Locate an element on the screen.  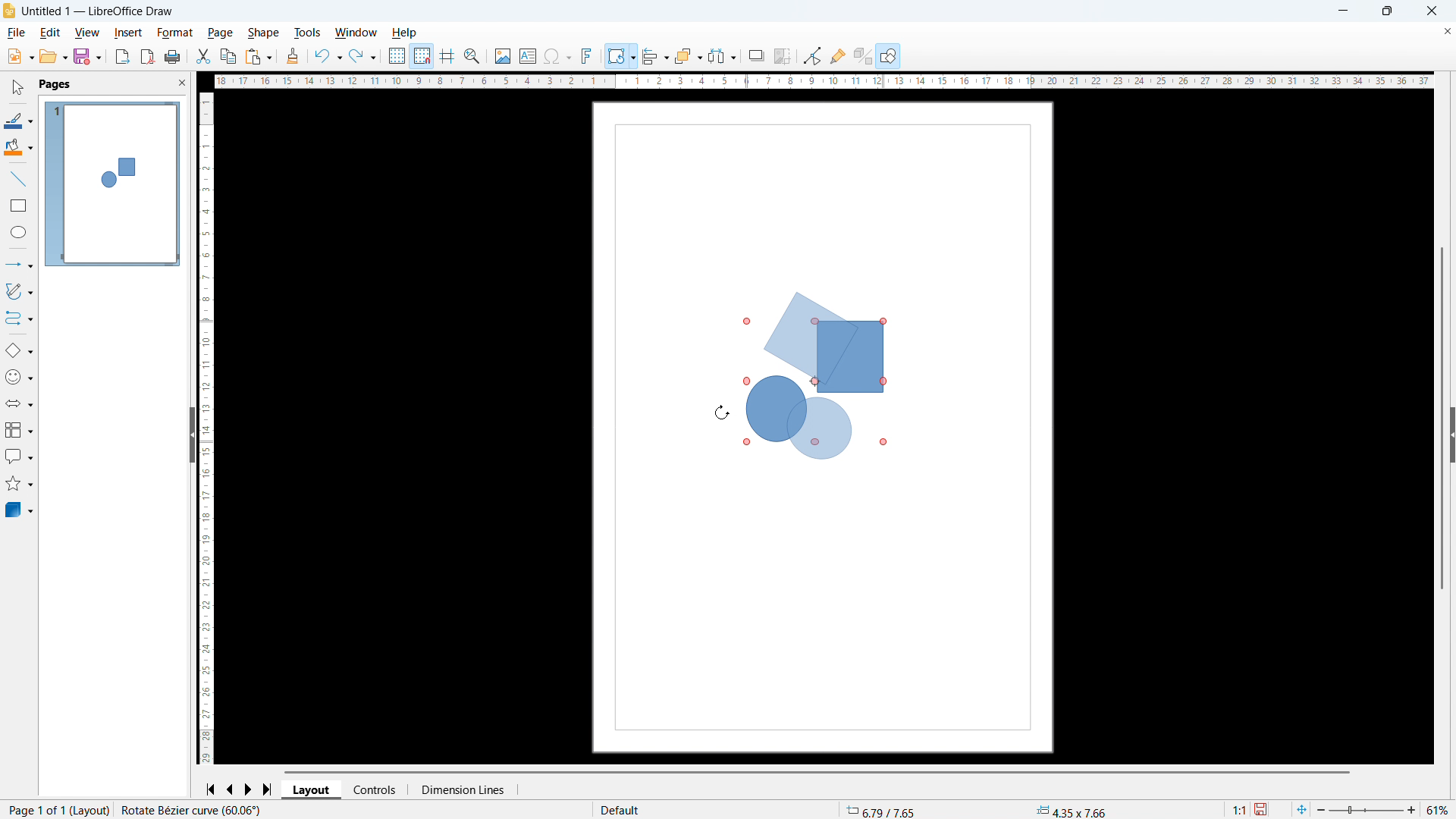
Insert symbols  is located at coordinates (557, 56).